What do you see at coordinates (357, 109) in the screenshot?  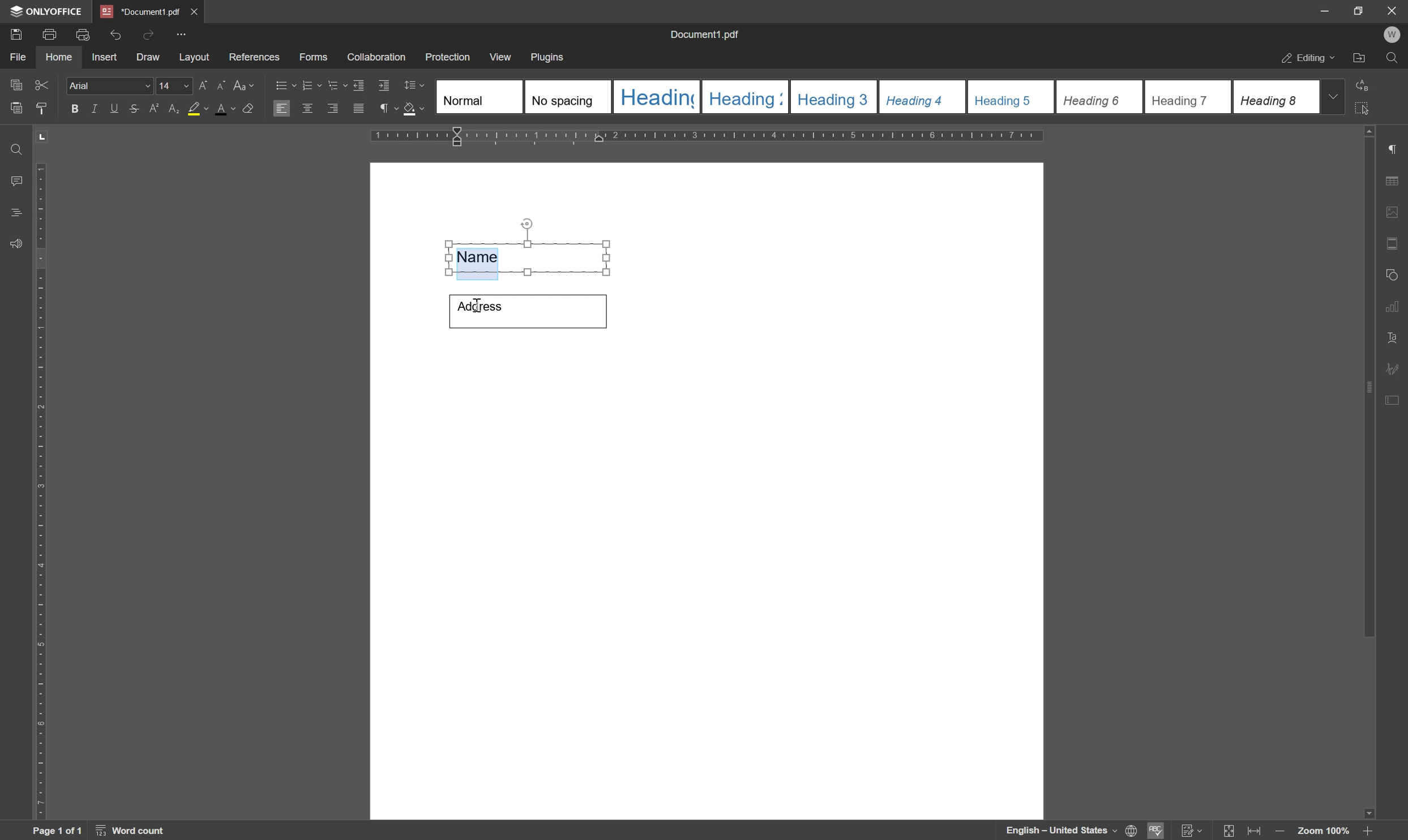 I see `justified` at bounding box center [357, 109].